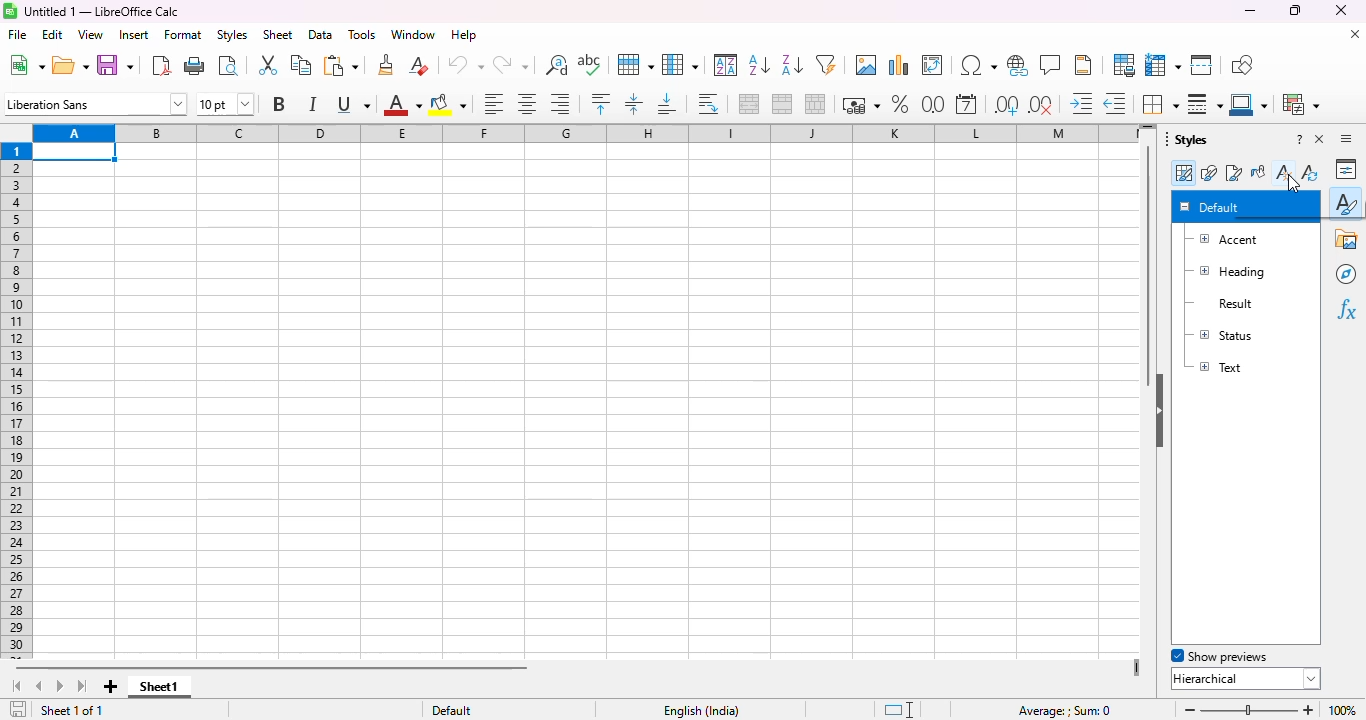  Describe the element at coordinates (448, 104) in the screenshot. I see `background color` at that location.